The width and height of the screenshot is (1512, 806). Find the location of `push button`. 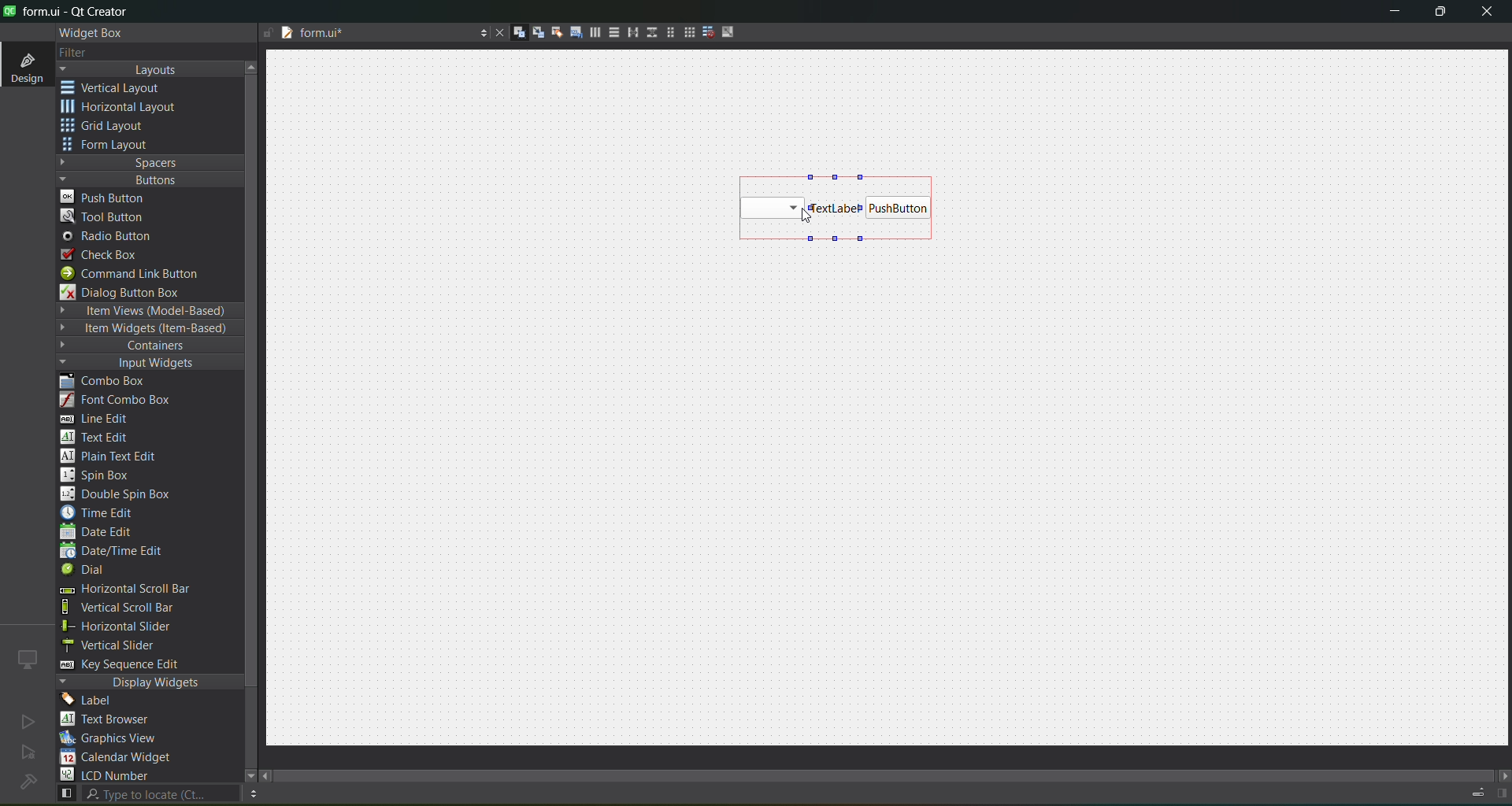

push button is located at coordinates (900, 209).